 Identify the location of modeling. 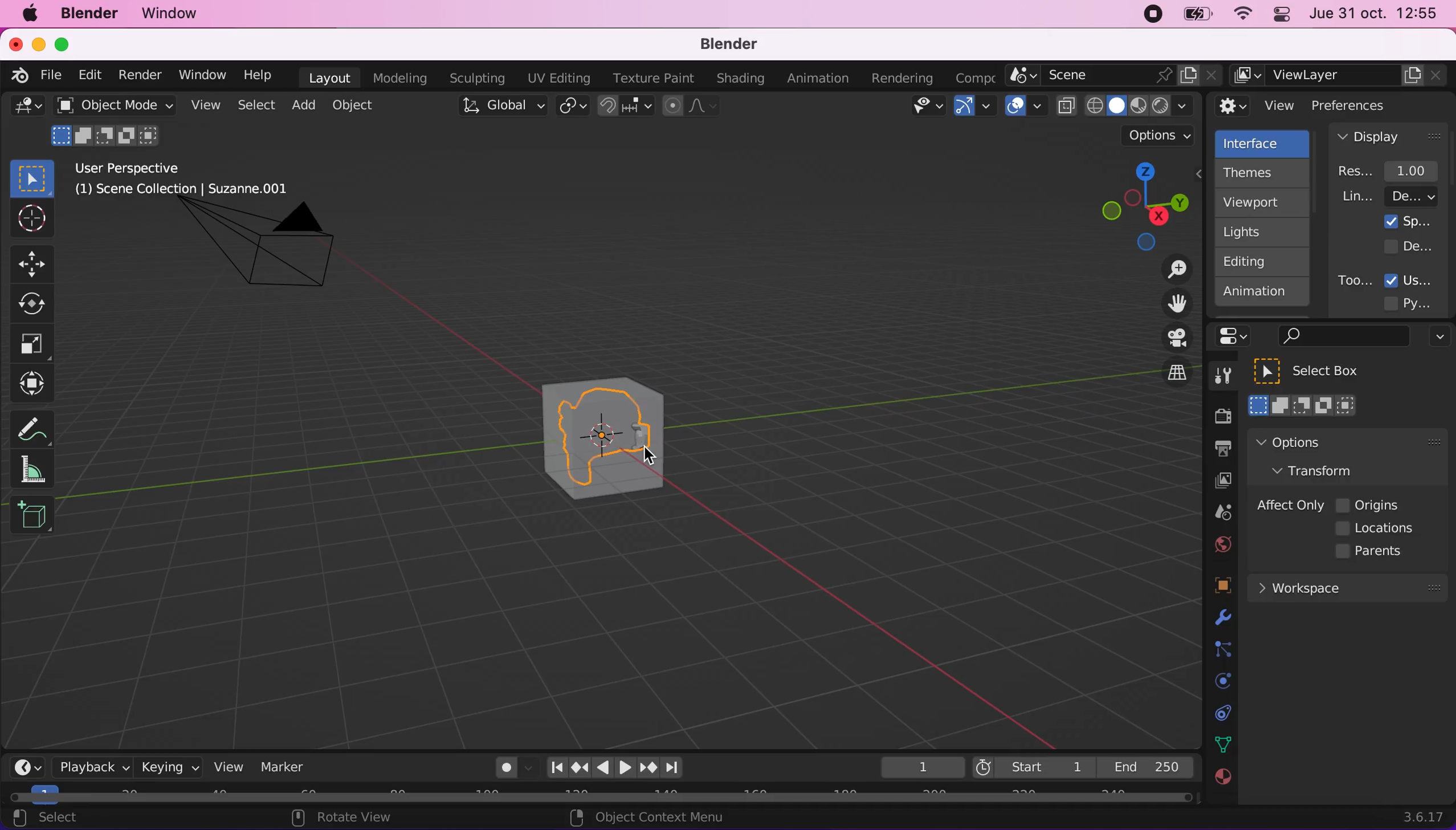
(398, 79).